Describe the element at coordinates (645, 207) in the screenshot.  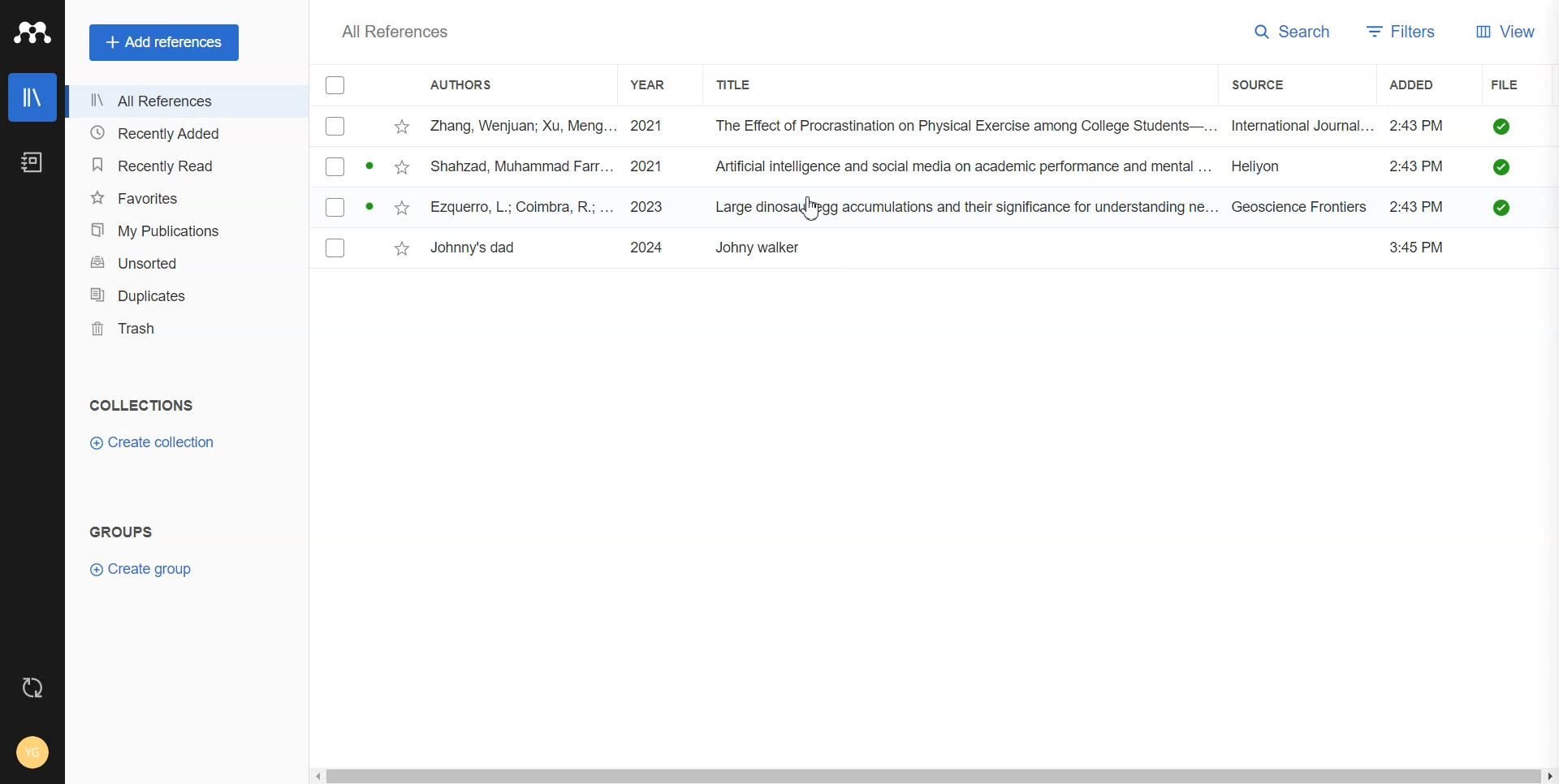
I see `2023` at that location.